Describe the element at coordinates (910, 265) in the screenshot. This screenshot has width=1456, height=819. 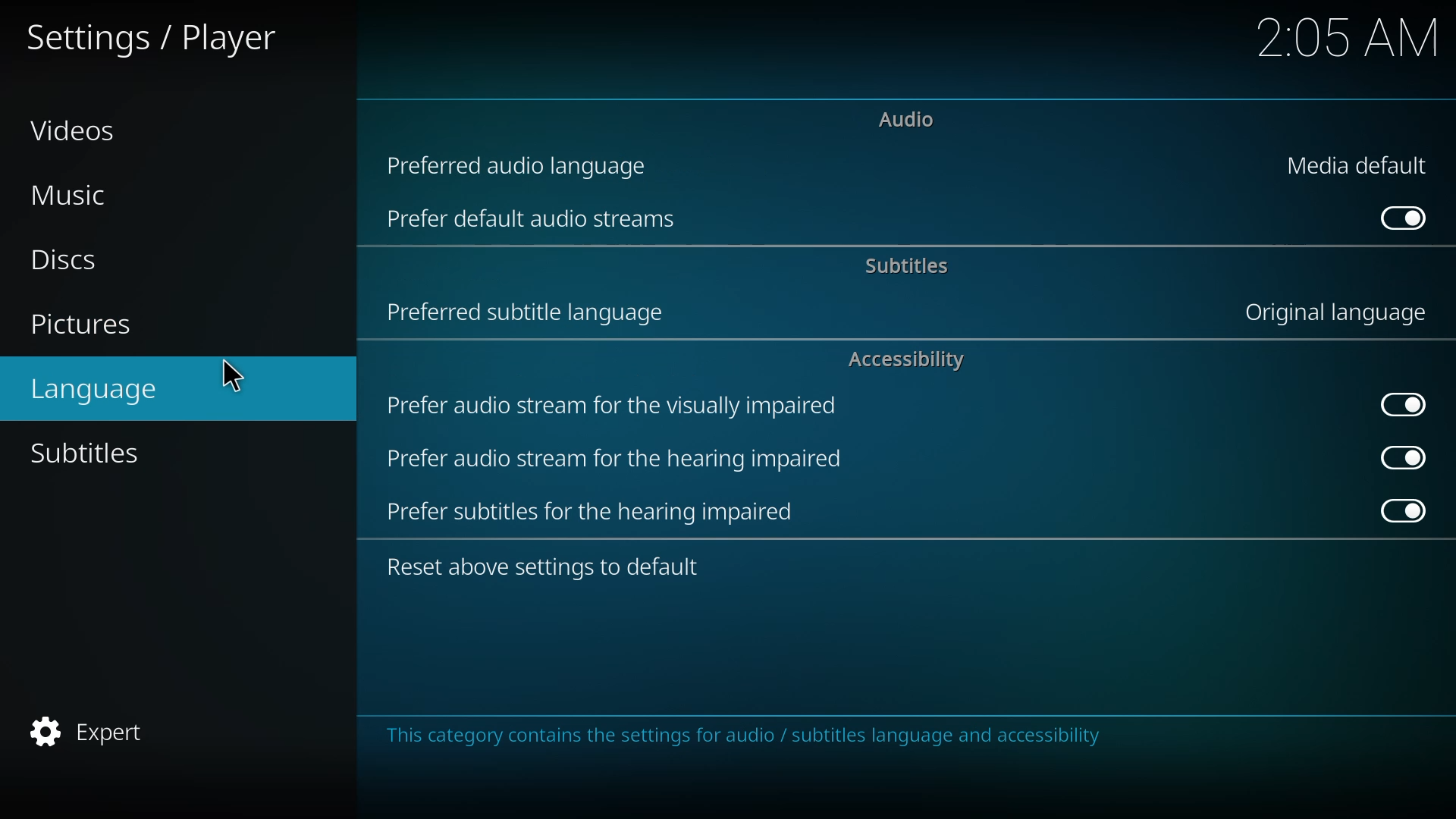
I see `subtitles` at that location.